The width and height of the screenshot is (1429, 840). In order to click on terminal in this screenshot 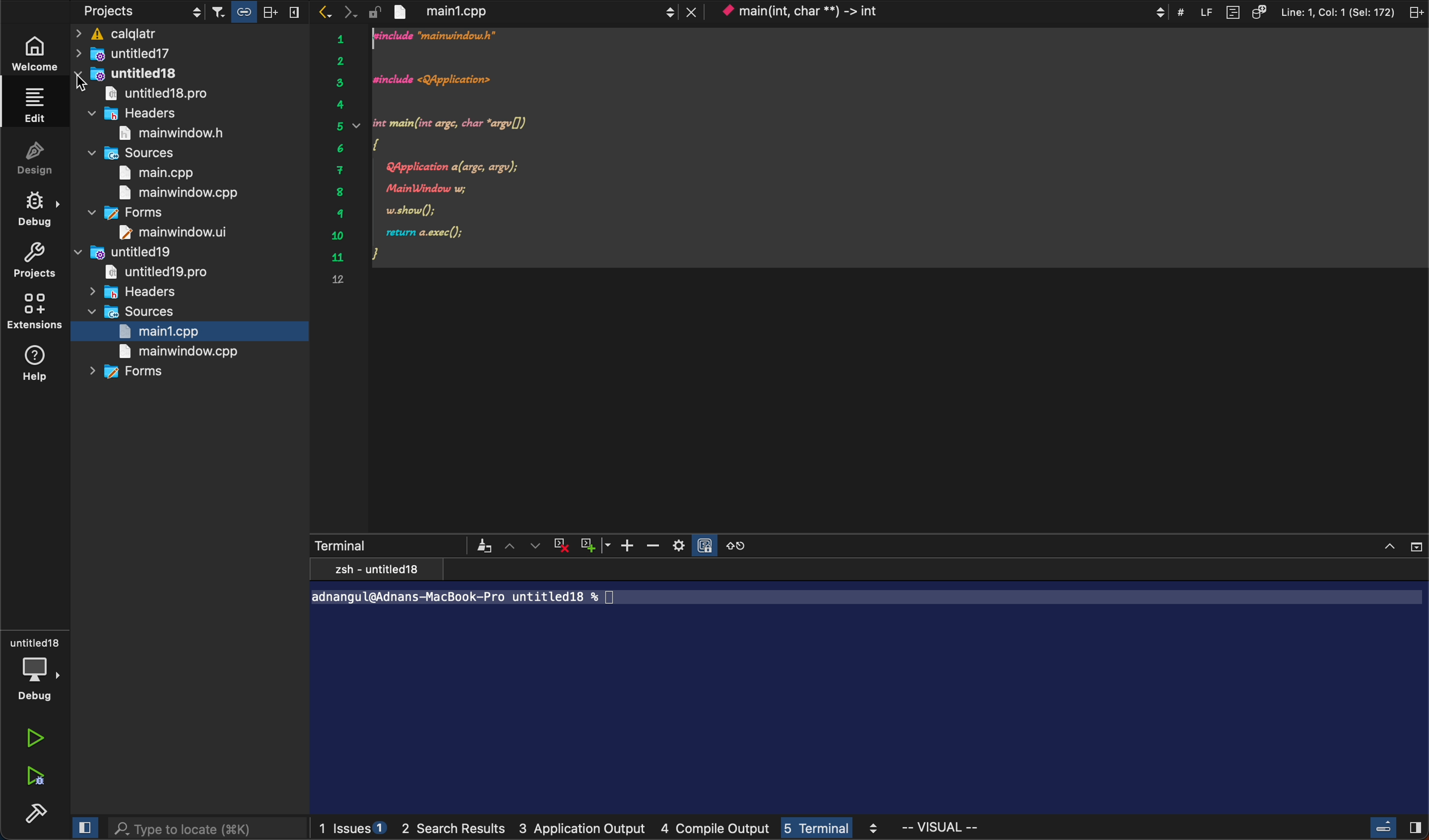, I will do `click(866, 702)`.